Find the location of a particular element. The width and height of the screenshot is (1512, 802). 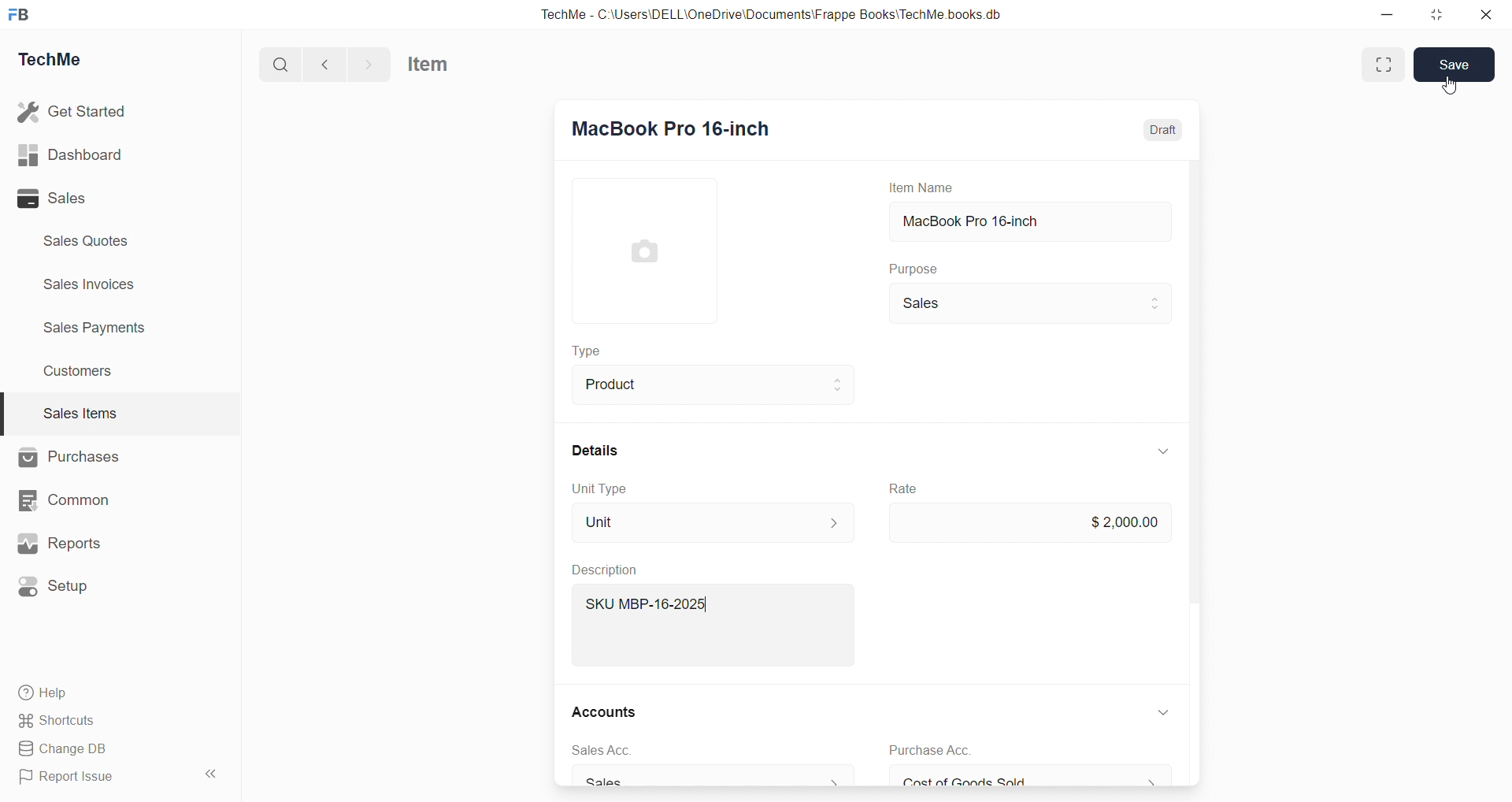

image is located at coordinates (643, 251).